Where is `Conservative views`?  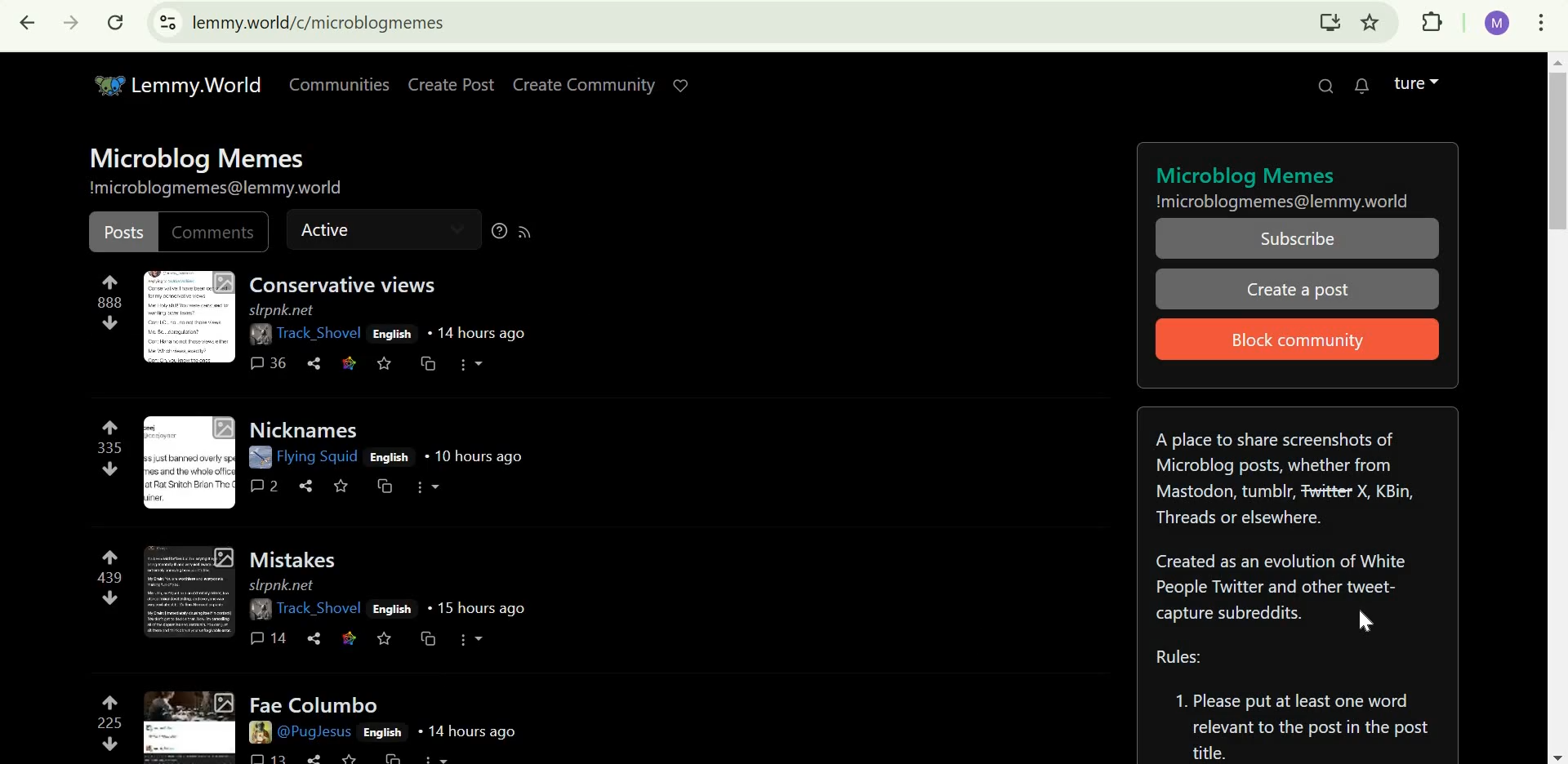 Conservative views is located at coordinates (345, 284).